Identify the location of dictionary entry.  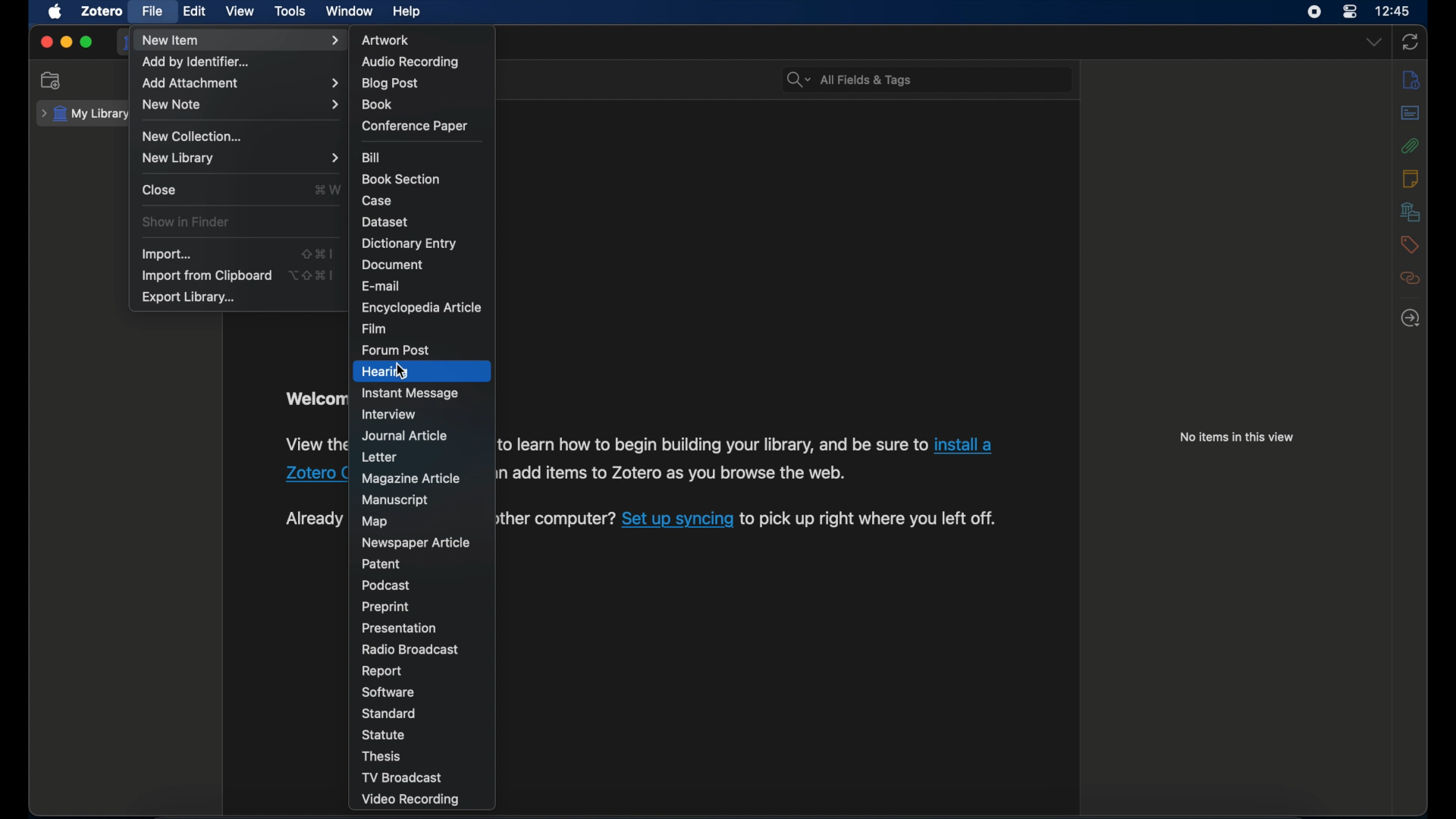
(409, 243).